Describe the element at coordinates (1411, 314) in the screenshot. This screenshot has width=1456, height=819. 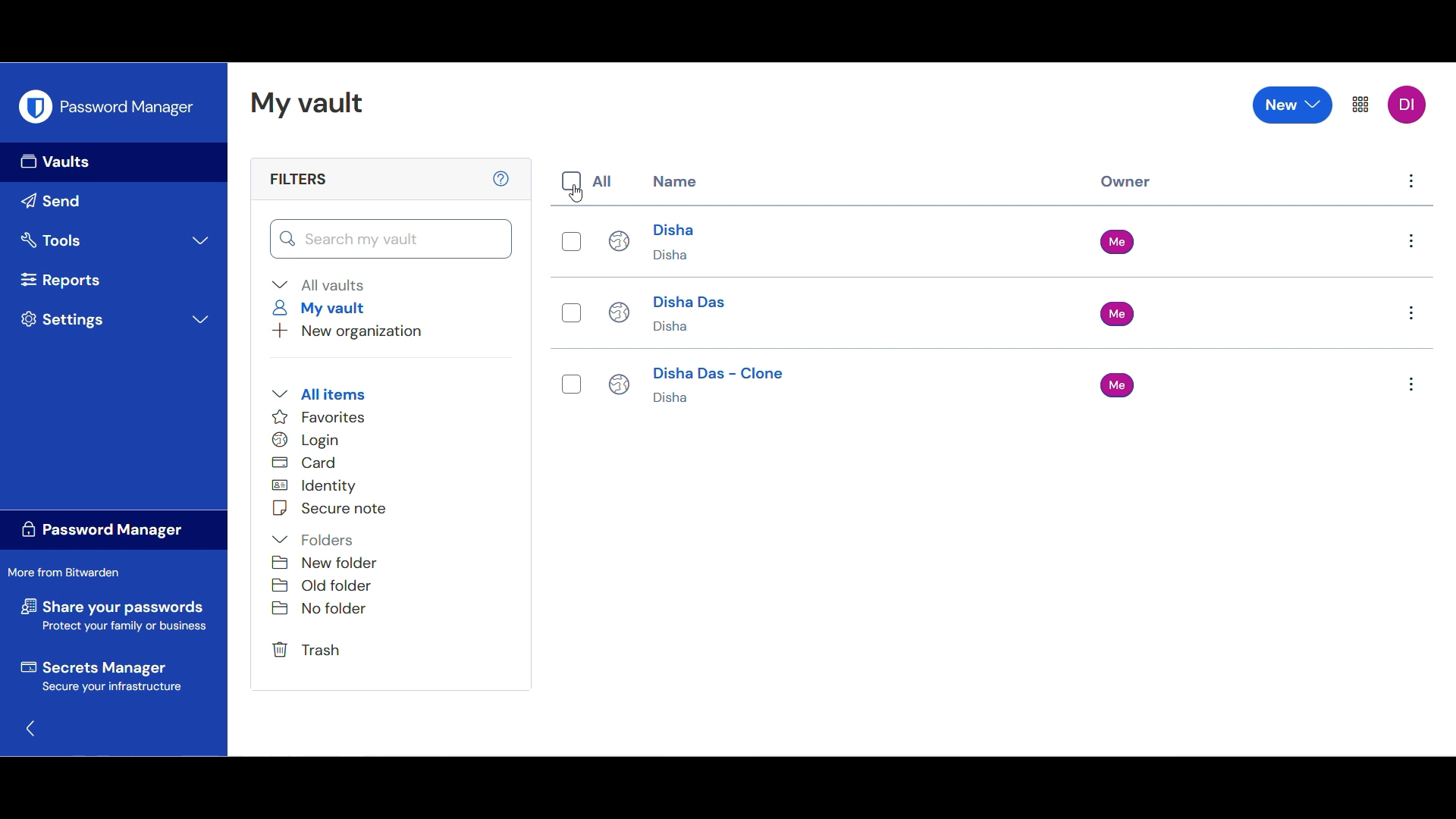
I see `Settings for each item respectively` at that location.